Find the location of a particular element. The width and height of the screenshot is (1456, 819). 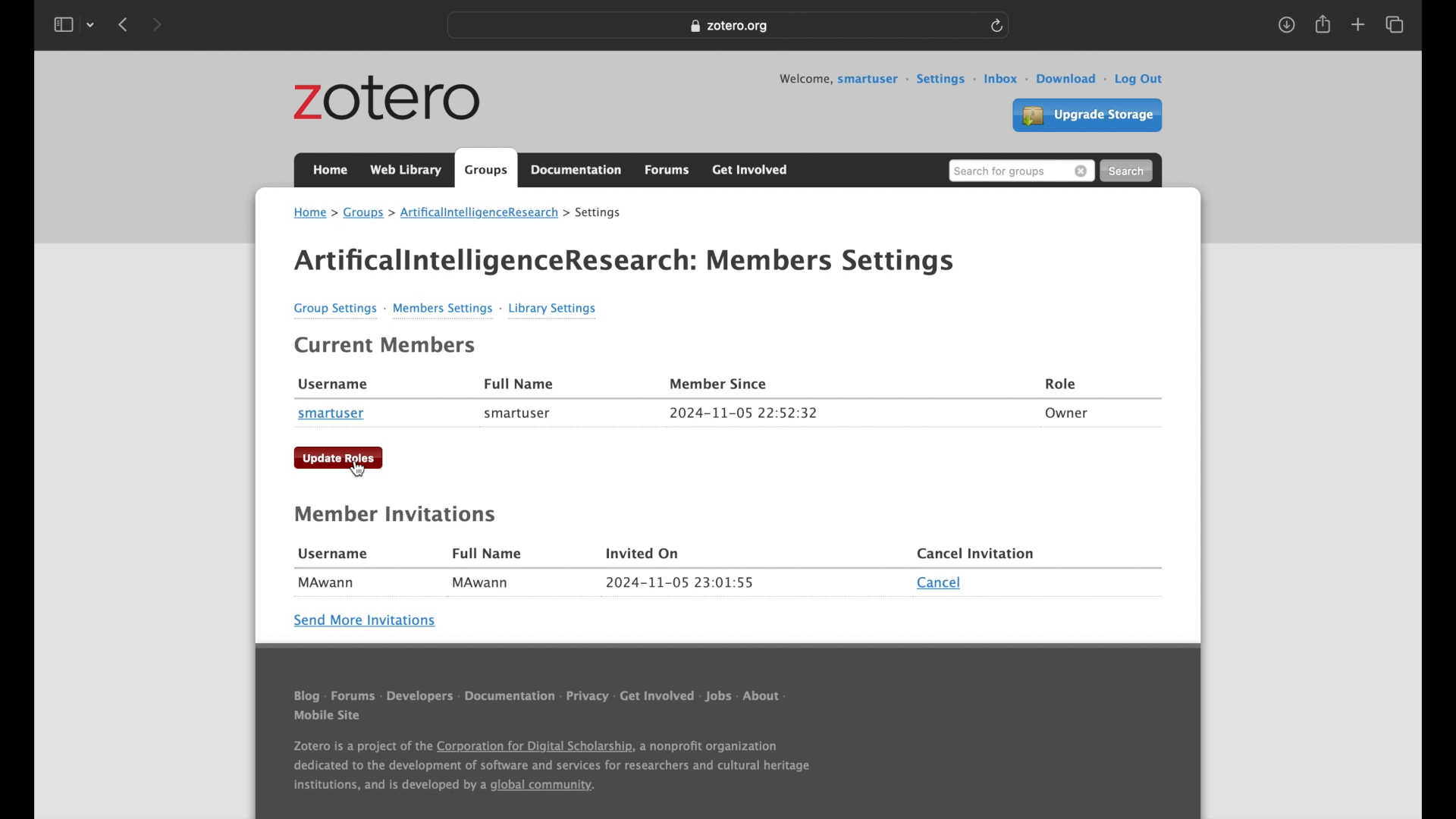

groups is located at coordinates (369, 212).